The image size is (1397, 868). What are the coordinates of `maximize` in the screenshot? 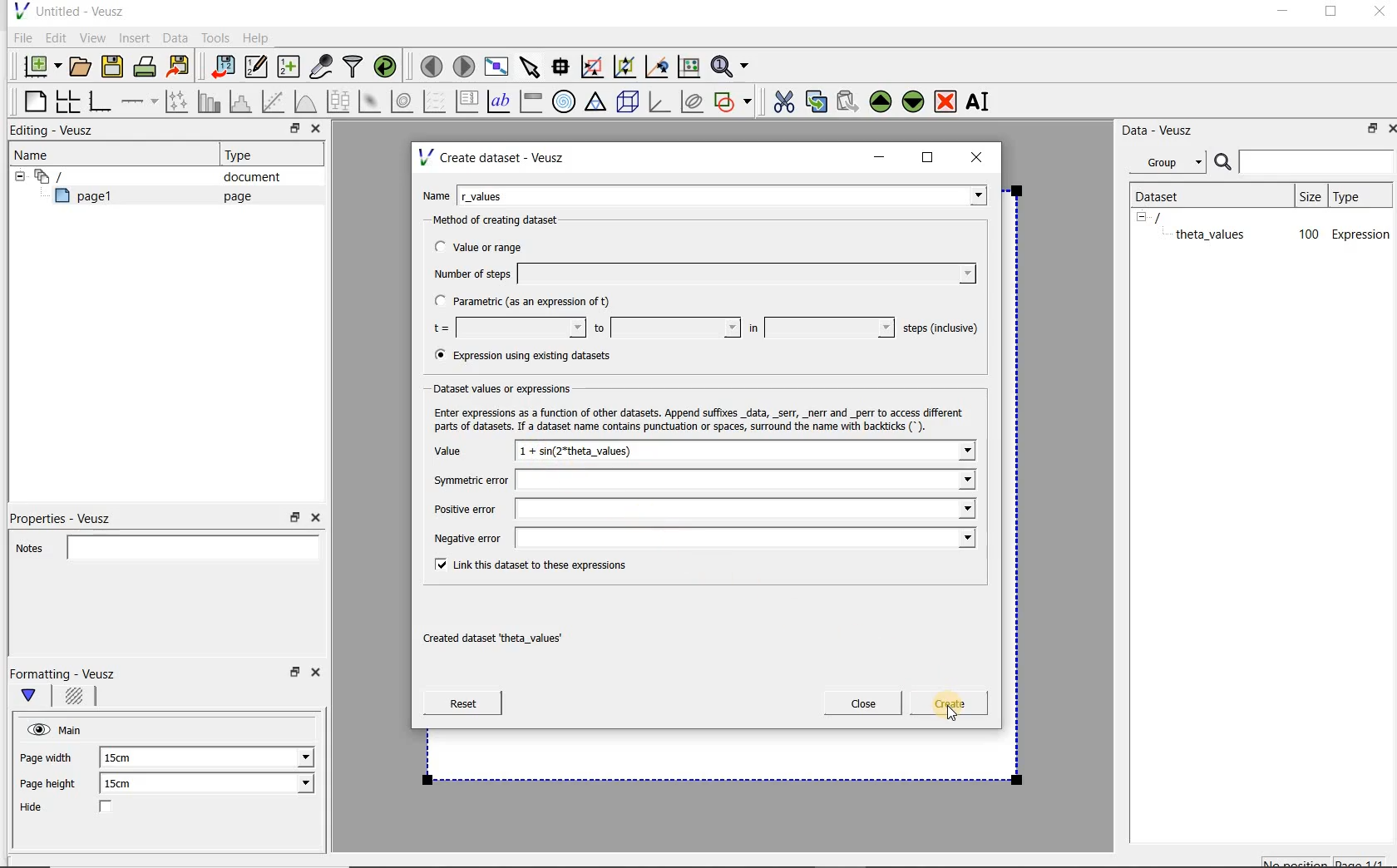 It's located at (1331, 14).